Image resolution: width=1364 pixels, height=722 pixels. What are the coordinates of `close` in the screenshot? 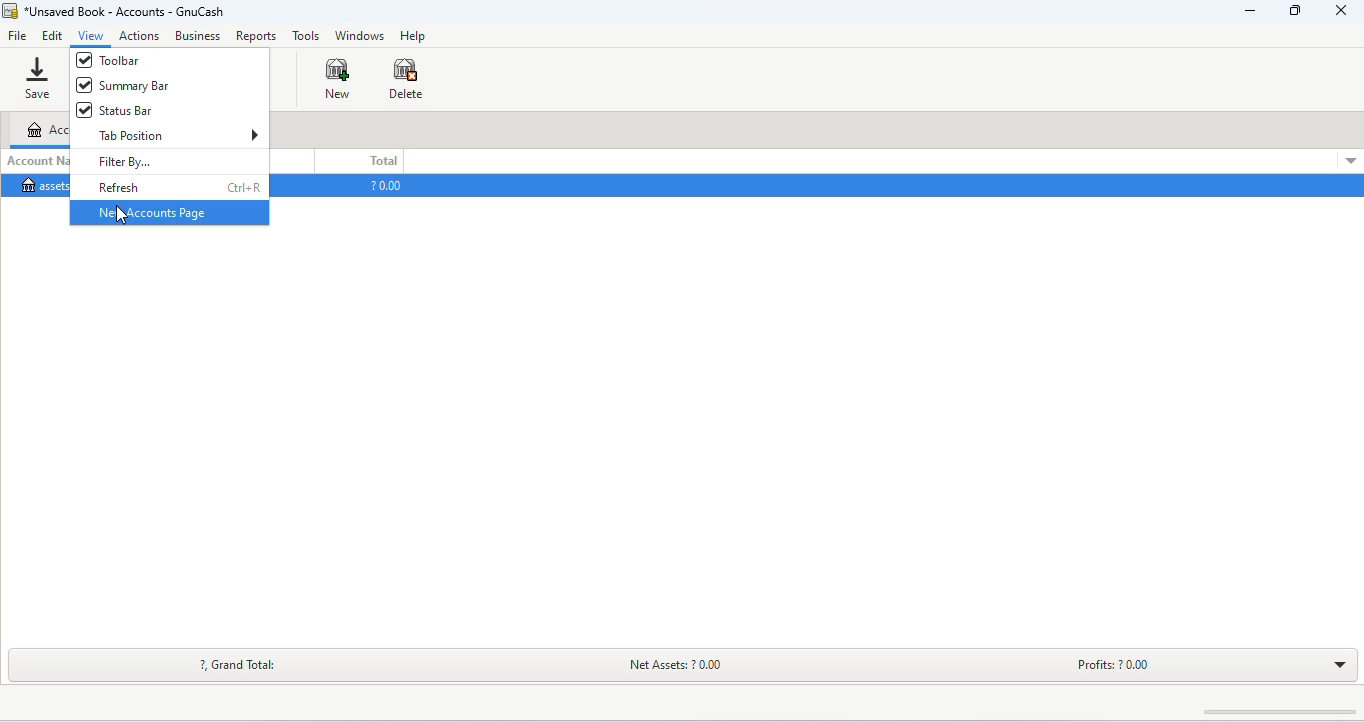 It's located at (1340, 11).